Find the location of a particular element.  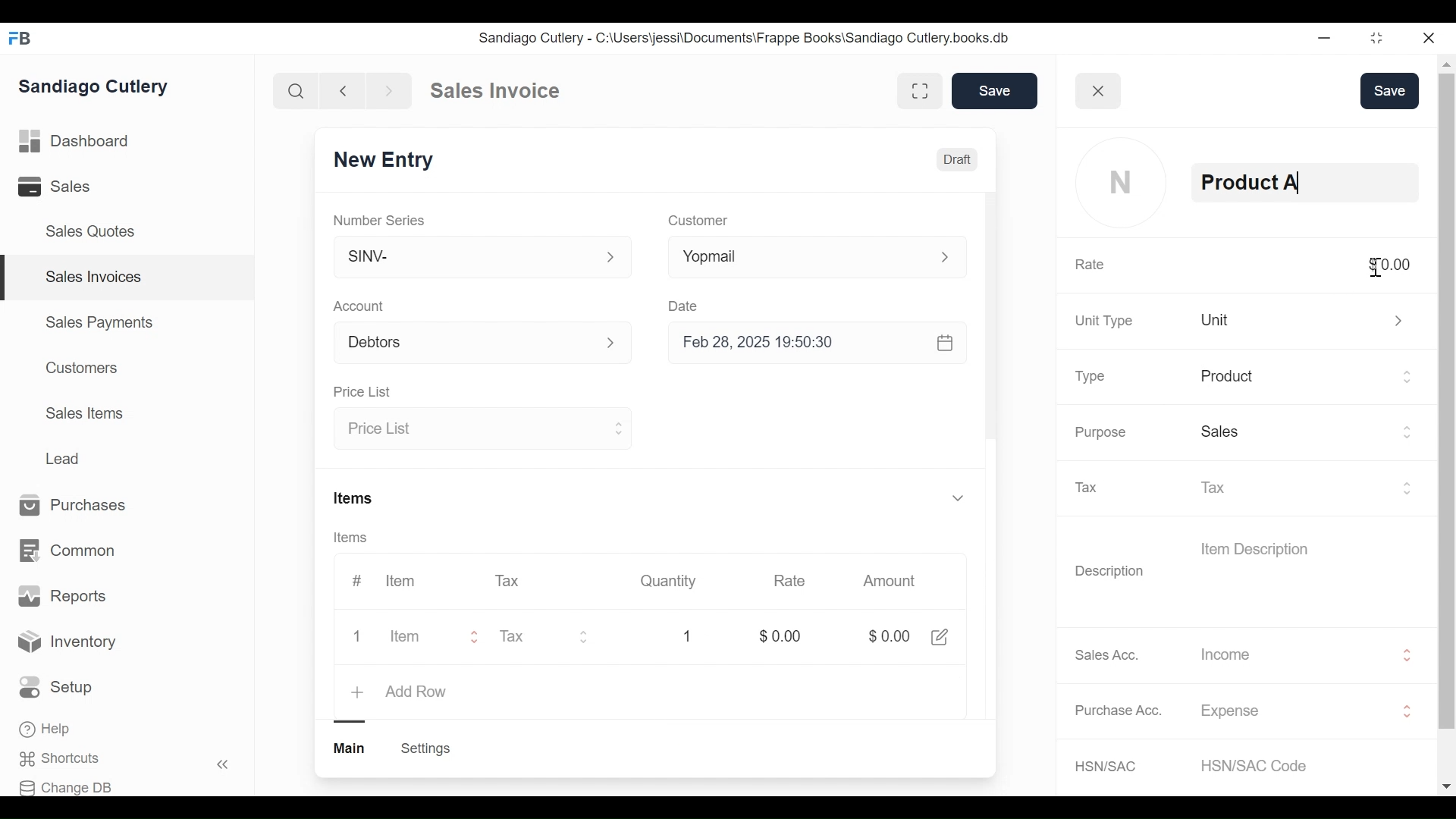

Item is located at coordinates (399, 581).